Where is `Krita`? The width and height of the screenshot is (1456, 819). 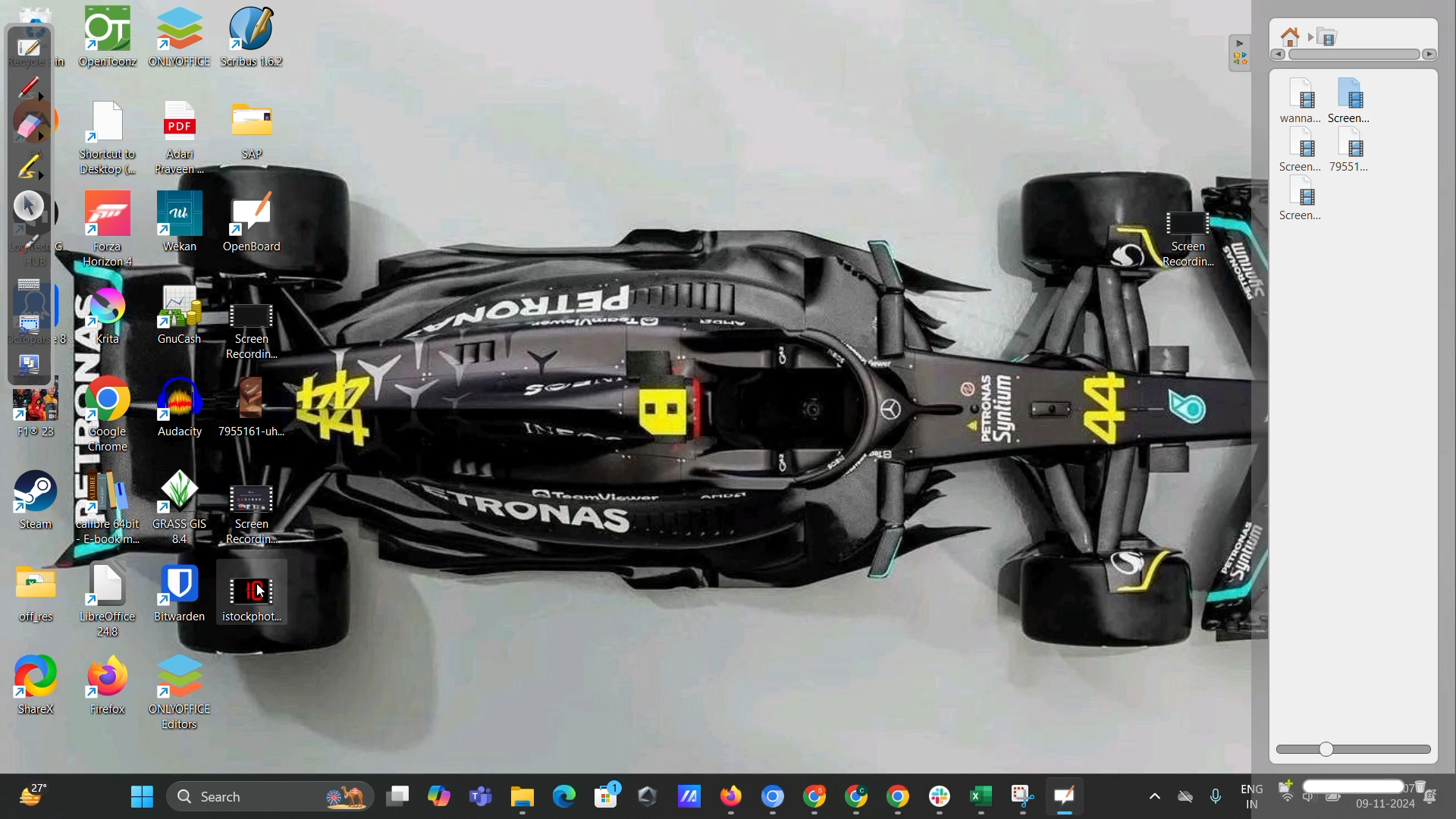 Krita is located at coordinates (111, 313).